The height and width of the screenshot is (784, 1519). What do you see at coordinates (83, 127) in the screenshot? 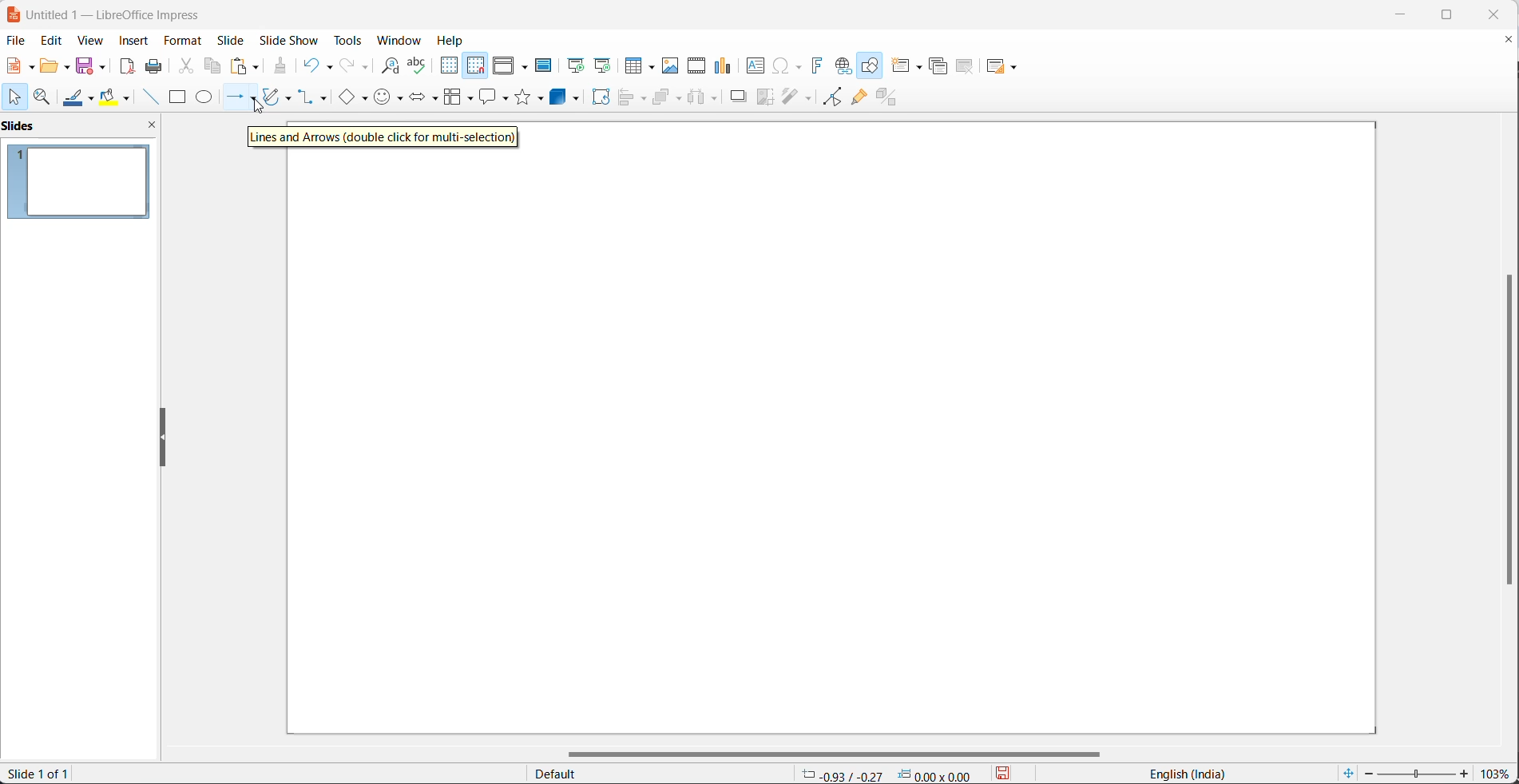
I see `side pane` at bounding box center [83, 127].